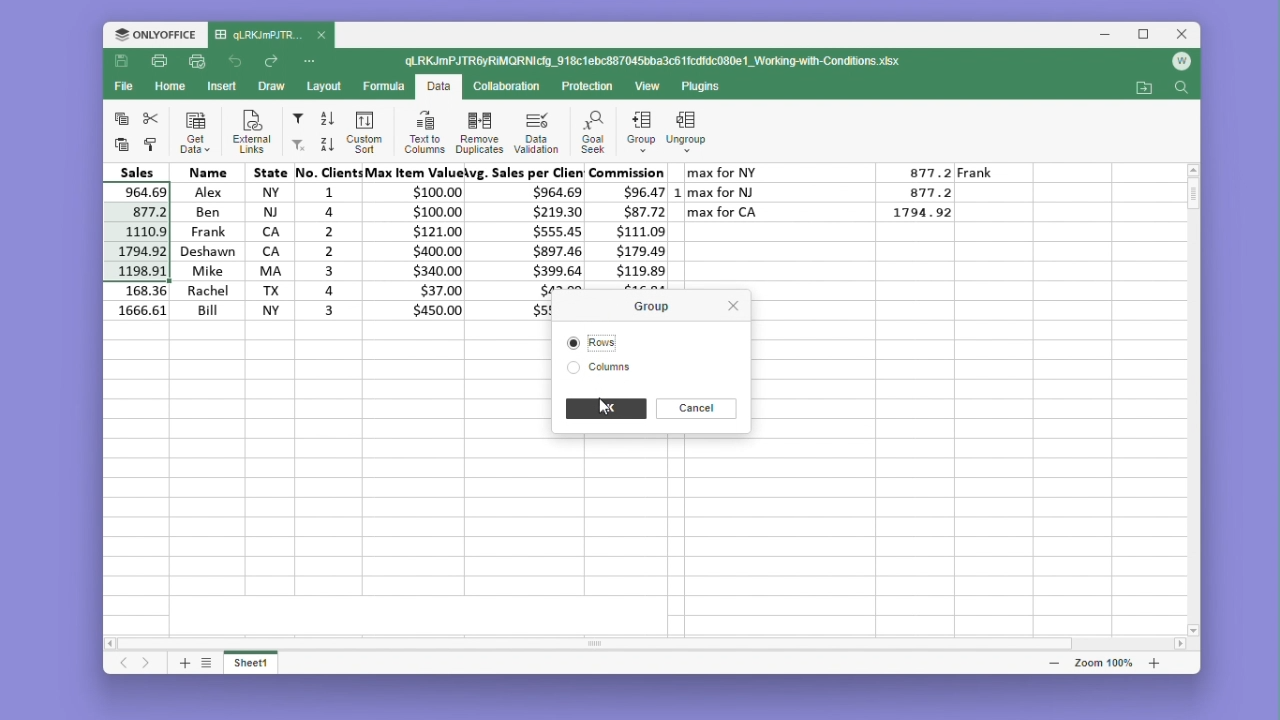 Image resolution: width=1280 pixels, height=720 pixels. I want to click on Protection, so click(582, 87).